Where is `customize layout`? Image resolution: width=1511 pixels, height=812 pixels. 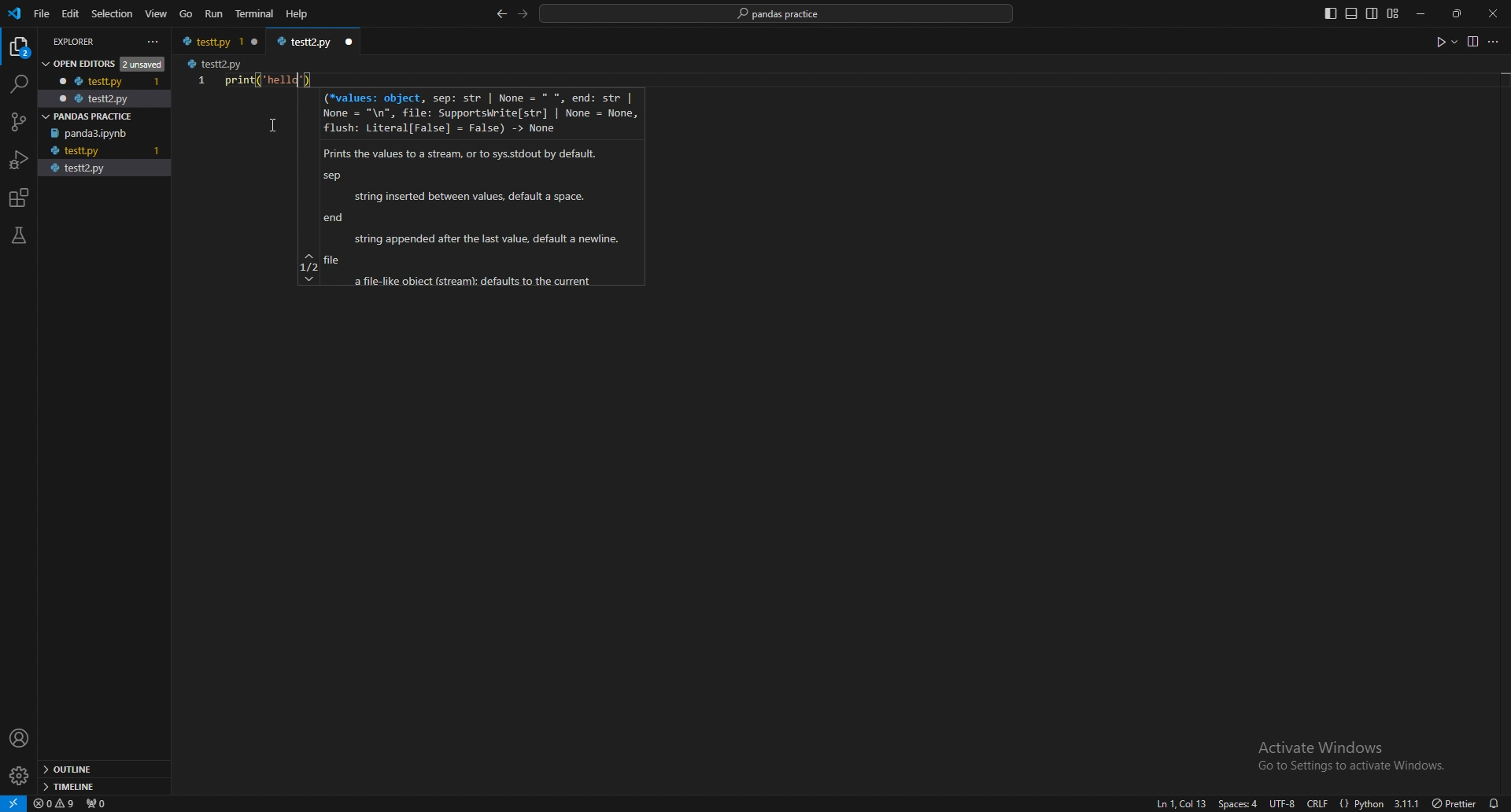
customize layout is located at coordinates (1392, 14).